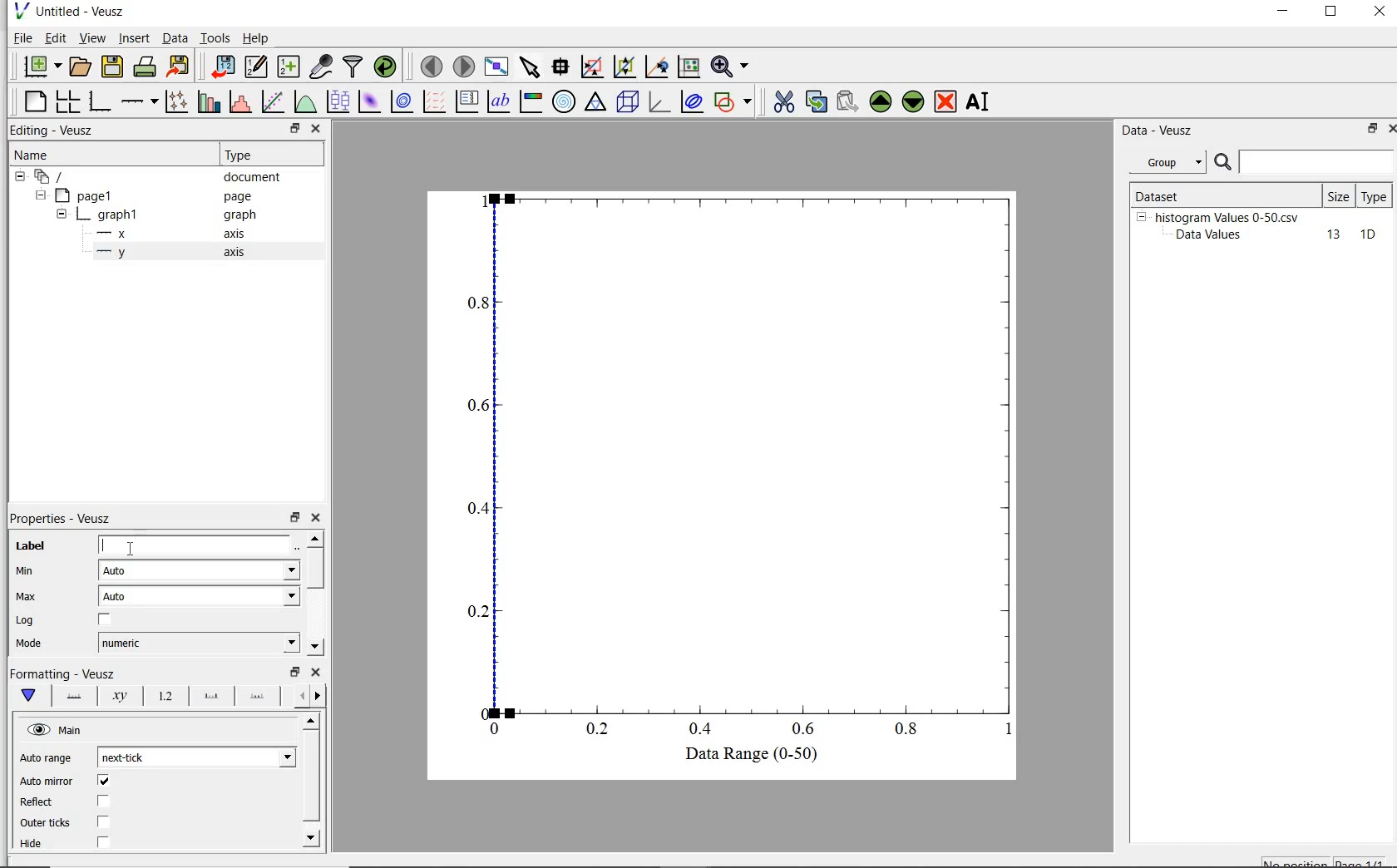 The image size is (1397, 868). What do you see at coordinates (52, 177) in the screenshot?
I see `current document` at bounding box center [52, 177].